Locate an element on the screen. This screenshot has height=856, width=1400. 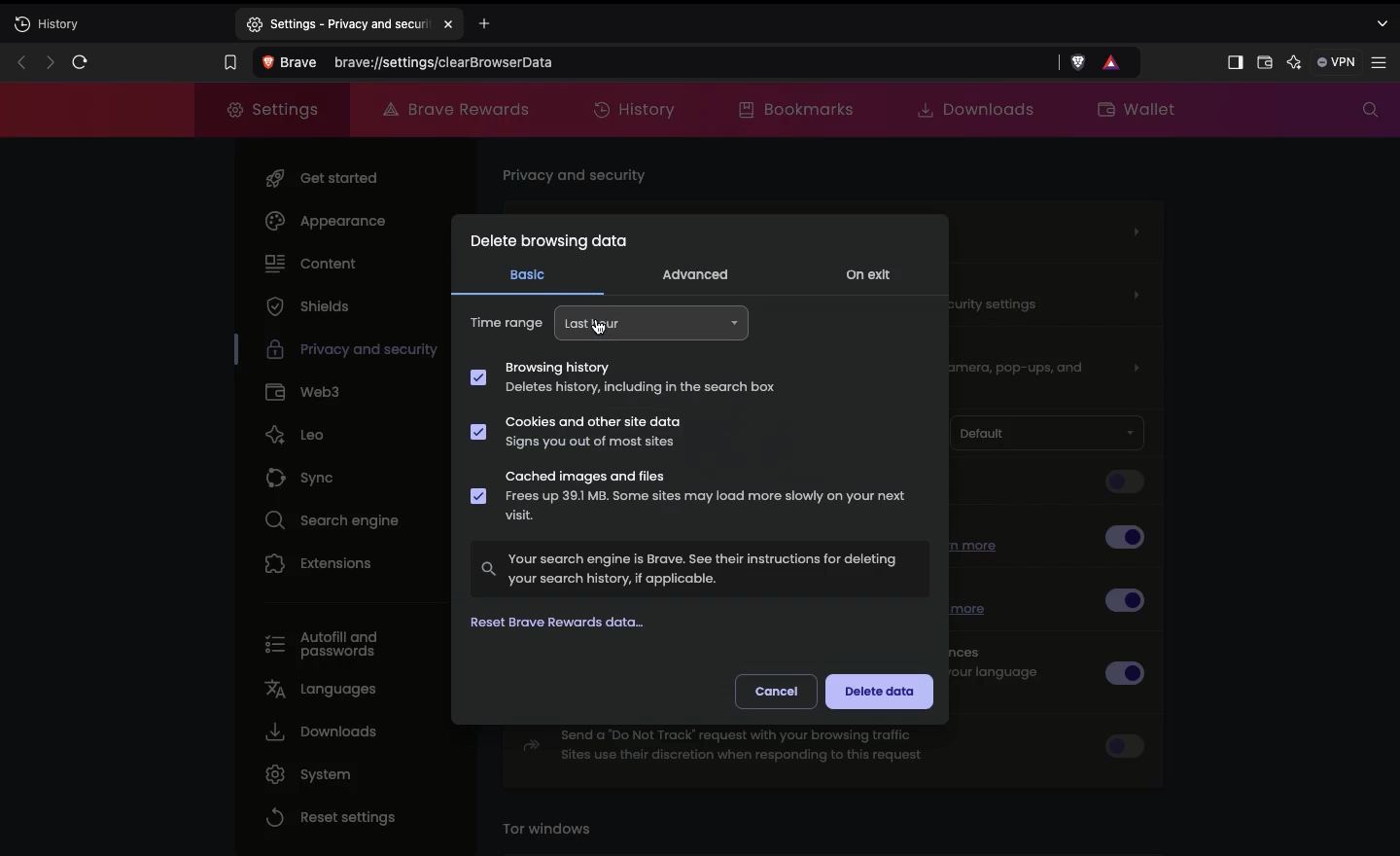
Last hour is located at coordinates (651, 324).